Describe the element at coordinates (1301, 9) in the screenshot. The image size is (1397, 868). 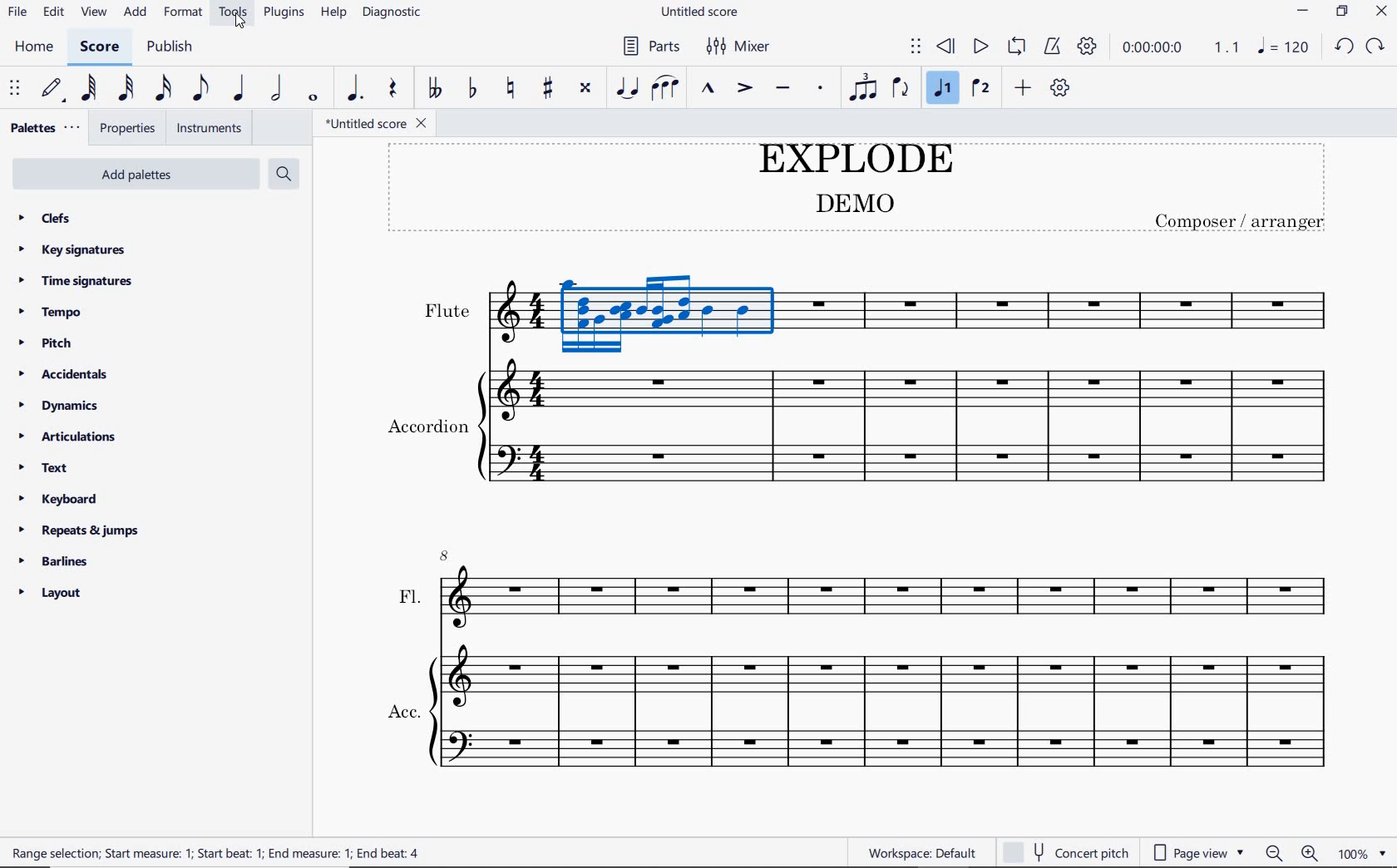
I see `minimize` at that location.